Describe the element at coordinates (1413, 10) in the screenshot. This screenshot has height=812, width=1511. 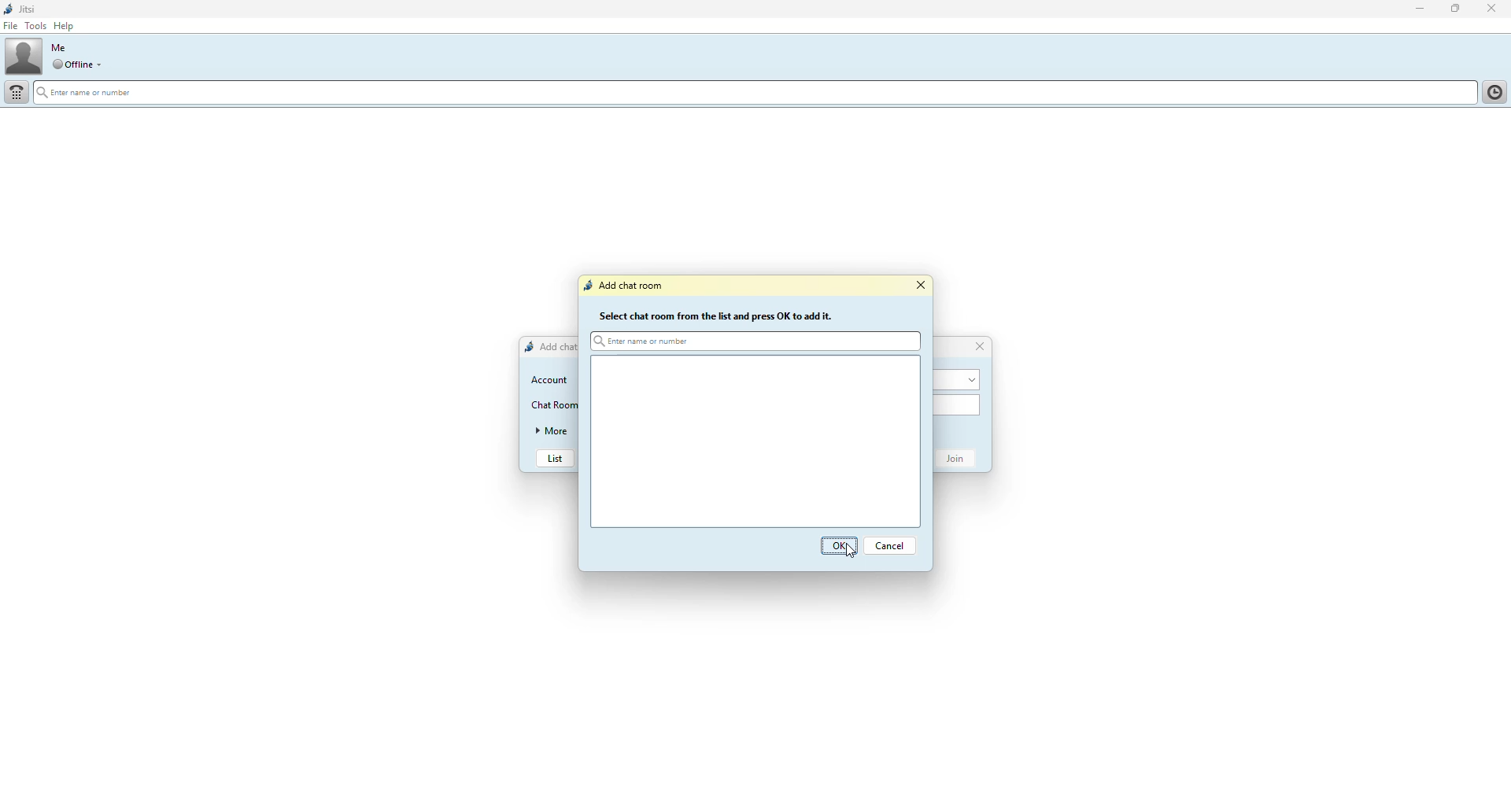
I see `minimize` at that location.